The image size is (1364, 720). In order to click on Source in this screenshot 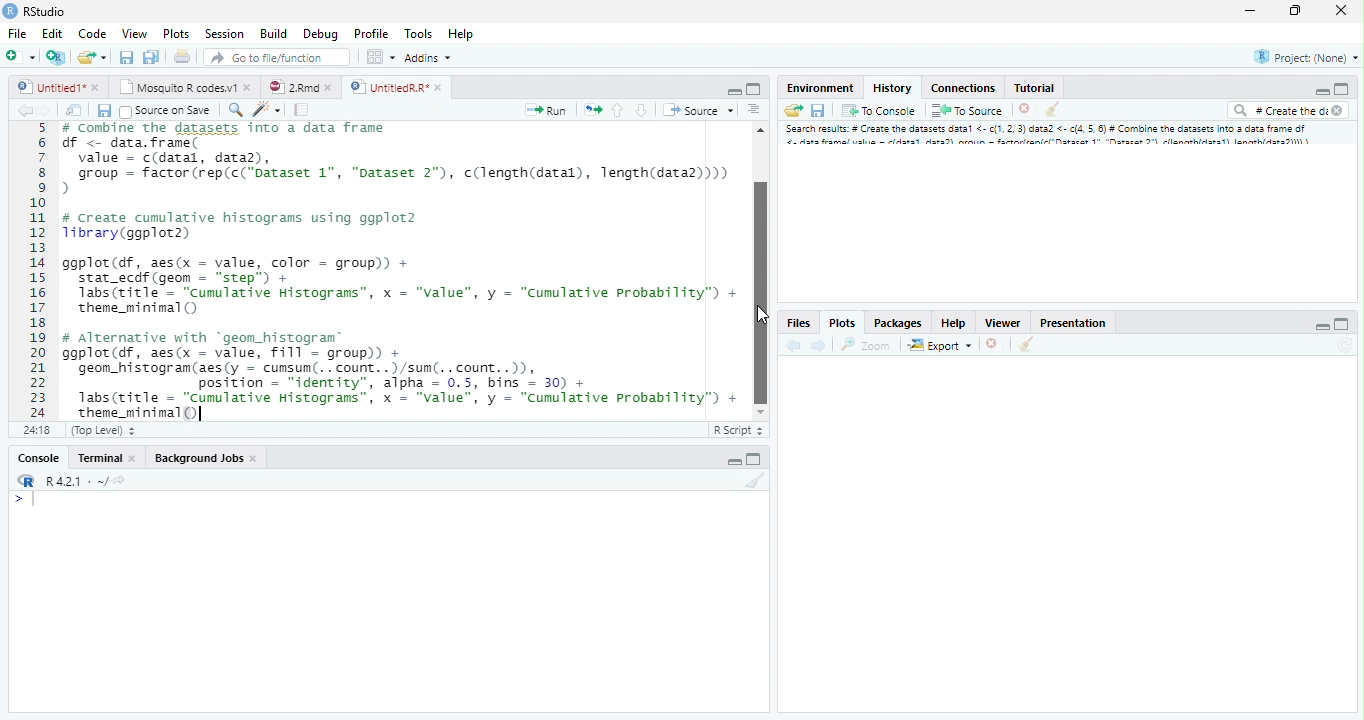, I will do `click(698, 112)`.